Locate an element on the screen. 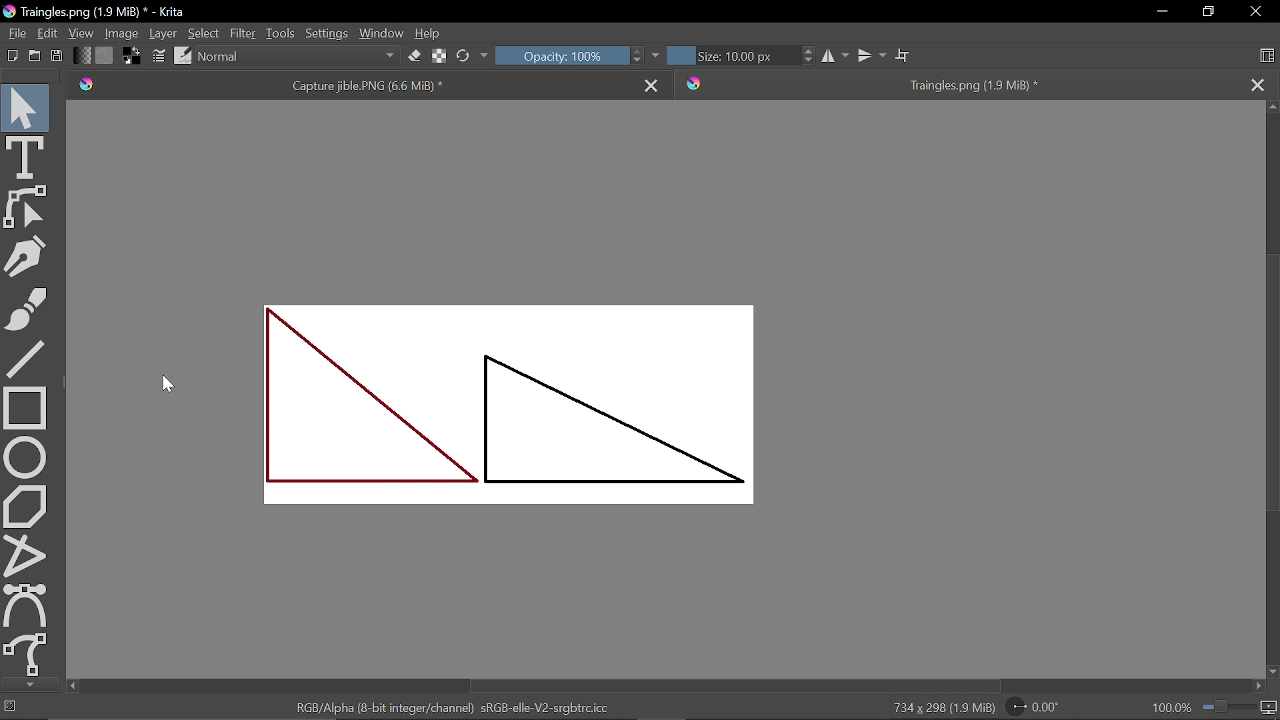  cursor is located at coordinates (172, 387).